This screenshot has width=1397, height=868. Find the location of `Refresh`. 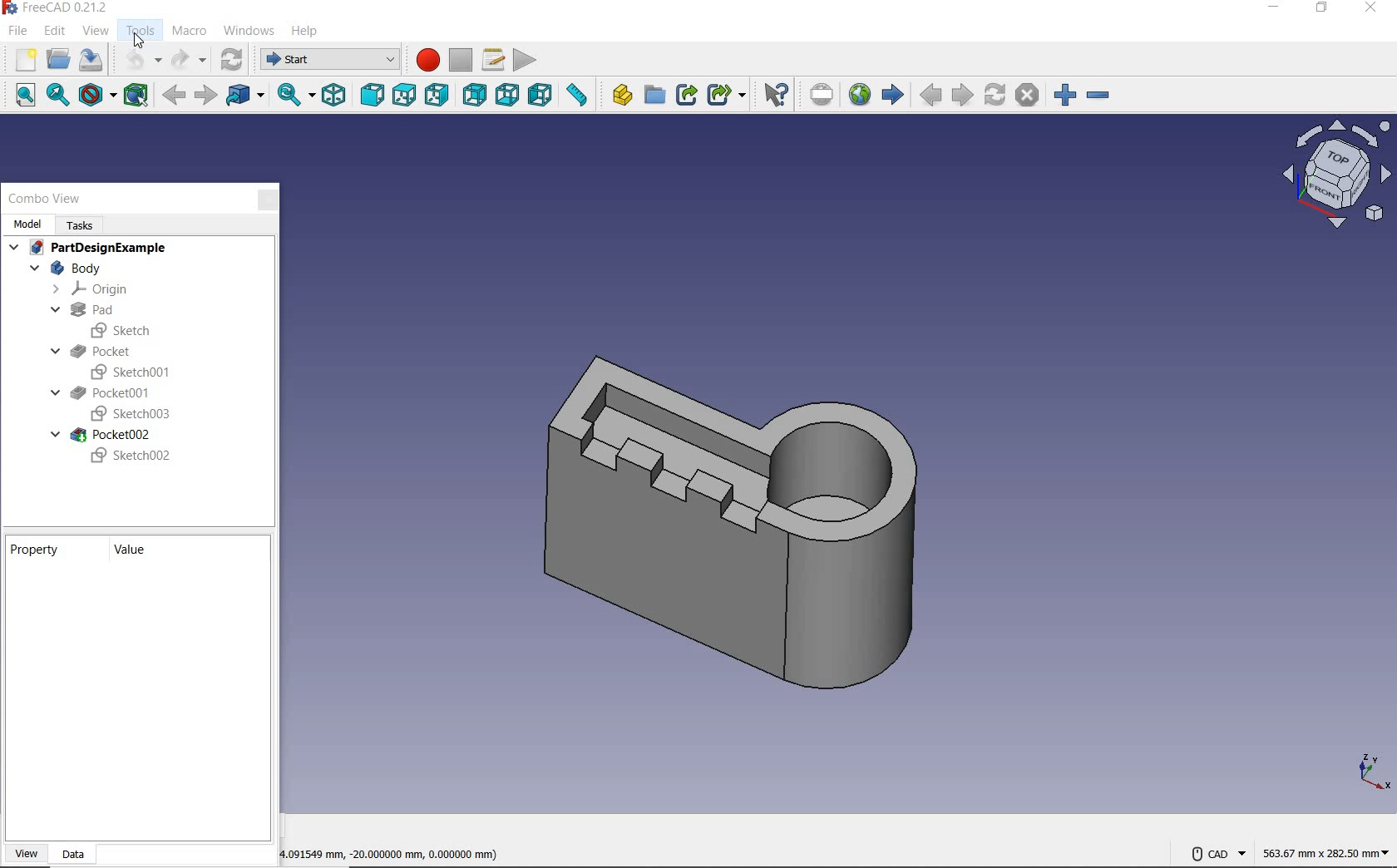

Refresh is located at coordinates (234, 60).